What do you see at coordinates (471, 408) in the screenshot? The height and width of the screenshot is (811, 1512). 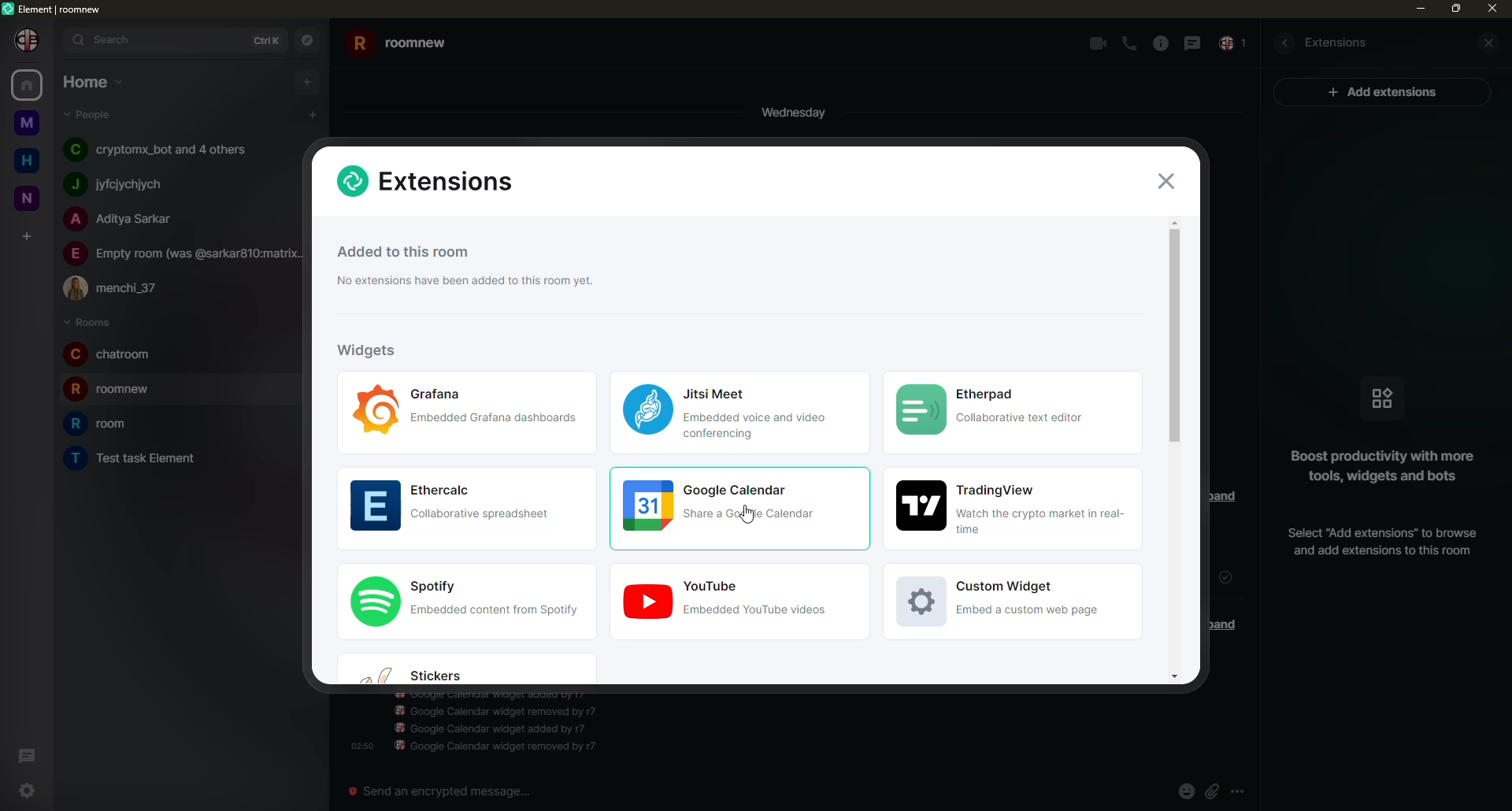 I see `widgets` at bounding box center [471, 408].